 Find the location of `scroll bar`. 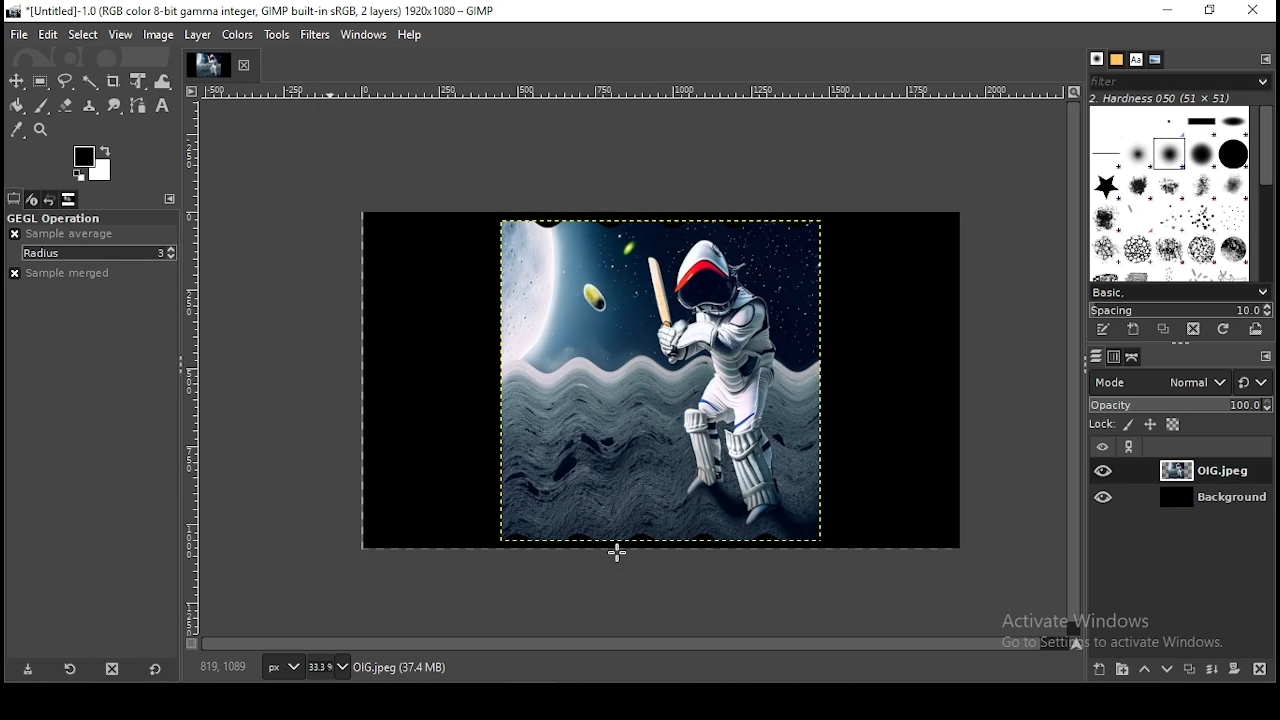

scroll bar is located at coordinates (634, 644).